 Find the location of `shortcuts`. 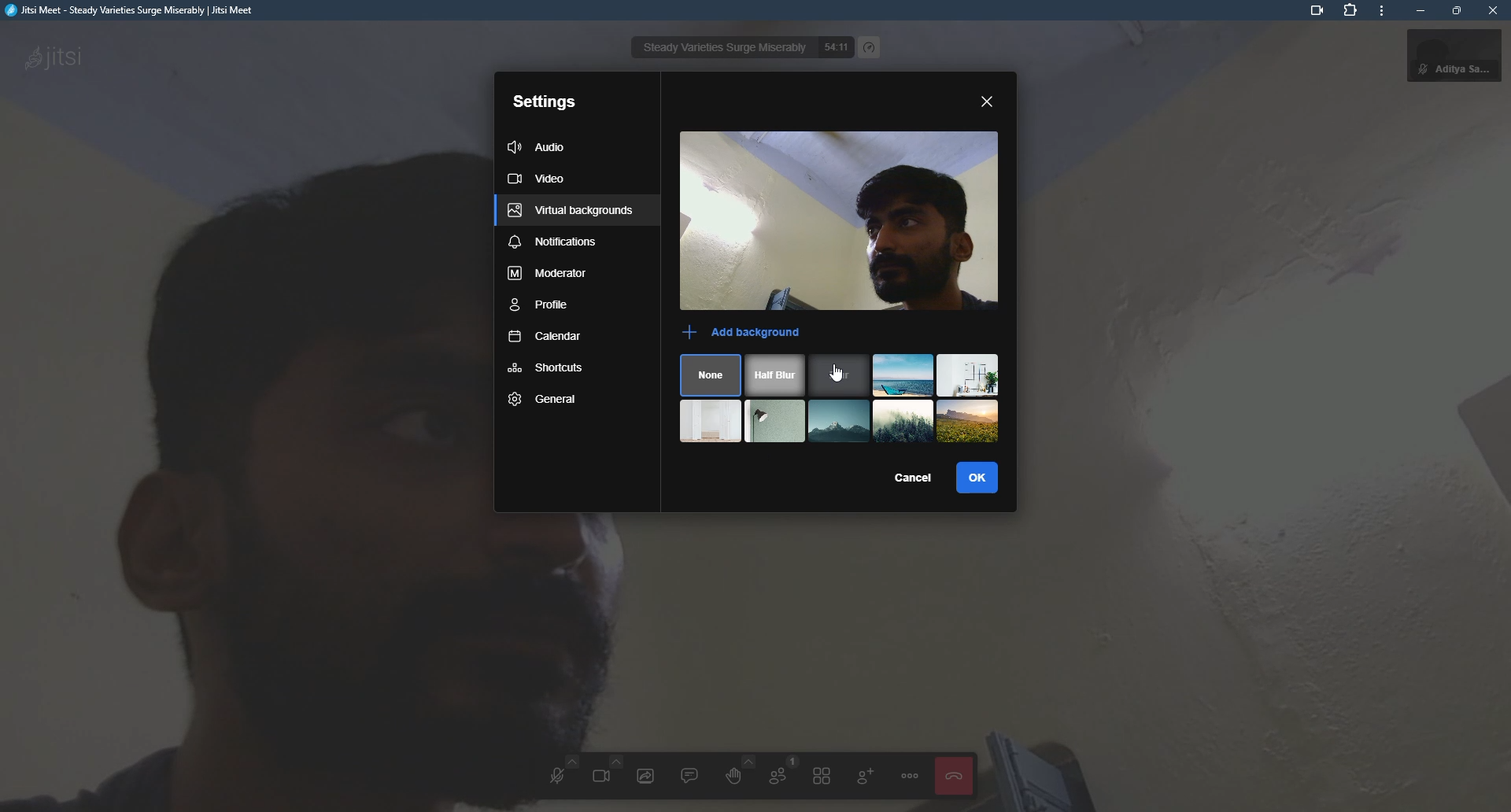

shortcuts is located at coordinates (548, 369).